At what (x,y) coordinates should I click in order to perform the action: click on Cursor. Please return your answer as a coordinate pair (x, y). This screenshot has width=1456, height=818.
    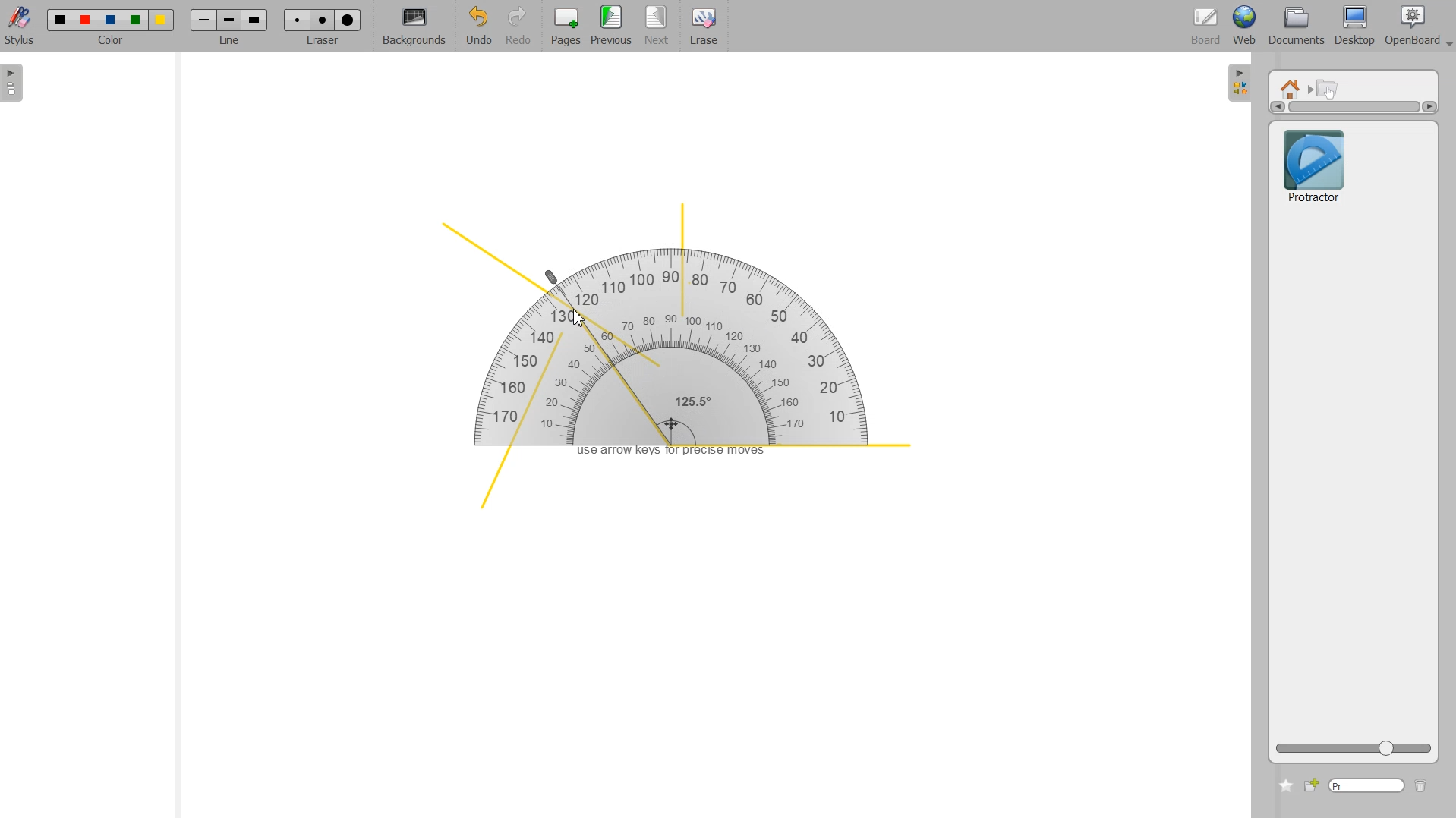
    Looking at the image, I should click on (580, 318).